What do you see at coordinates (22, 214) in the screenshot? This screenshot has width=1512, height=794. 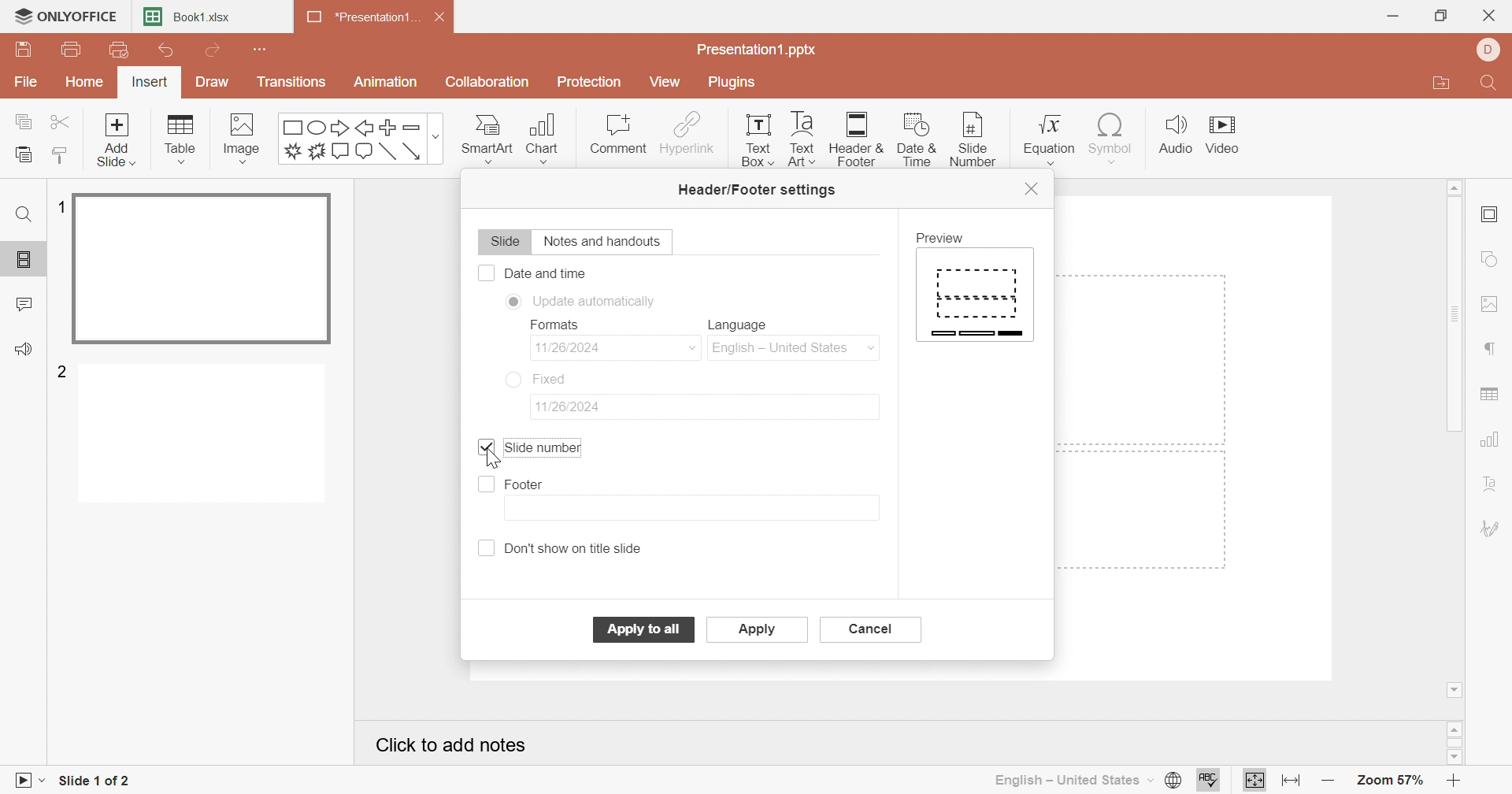 I see `Find` at bounding box center [22, 214].